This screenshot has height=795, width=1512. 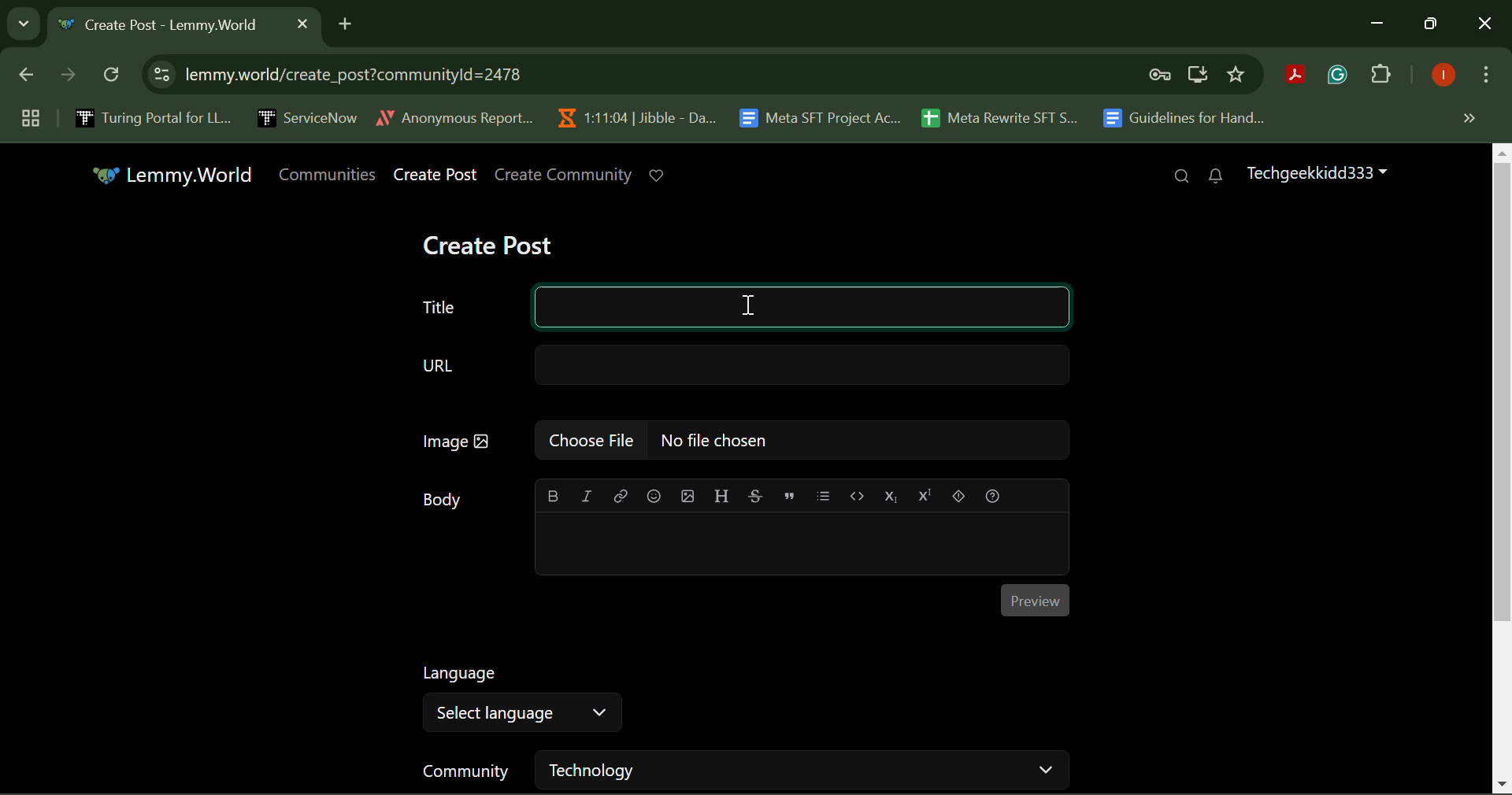 I want to click on spoiler, so click(x=959, y=496).